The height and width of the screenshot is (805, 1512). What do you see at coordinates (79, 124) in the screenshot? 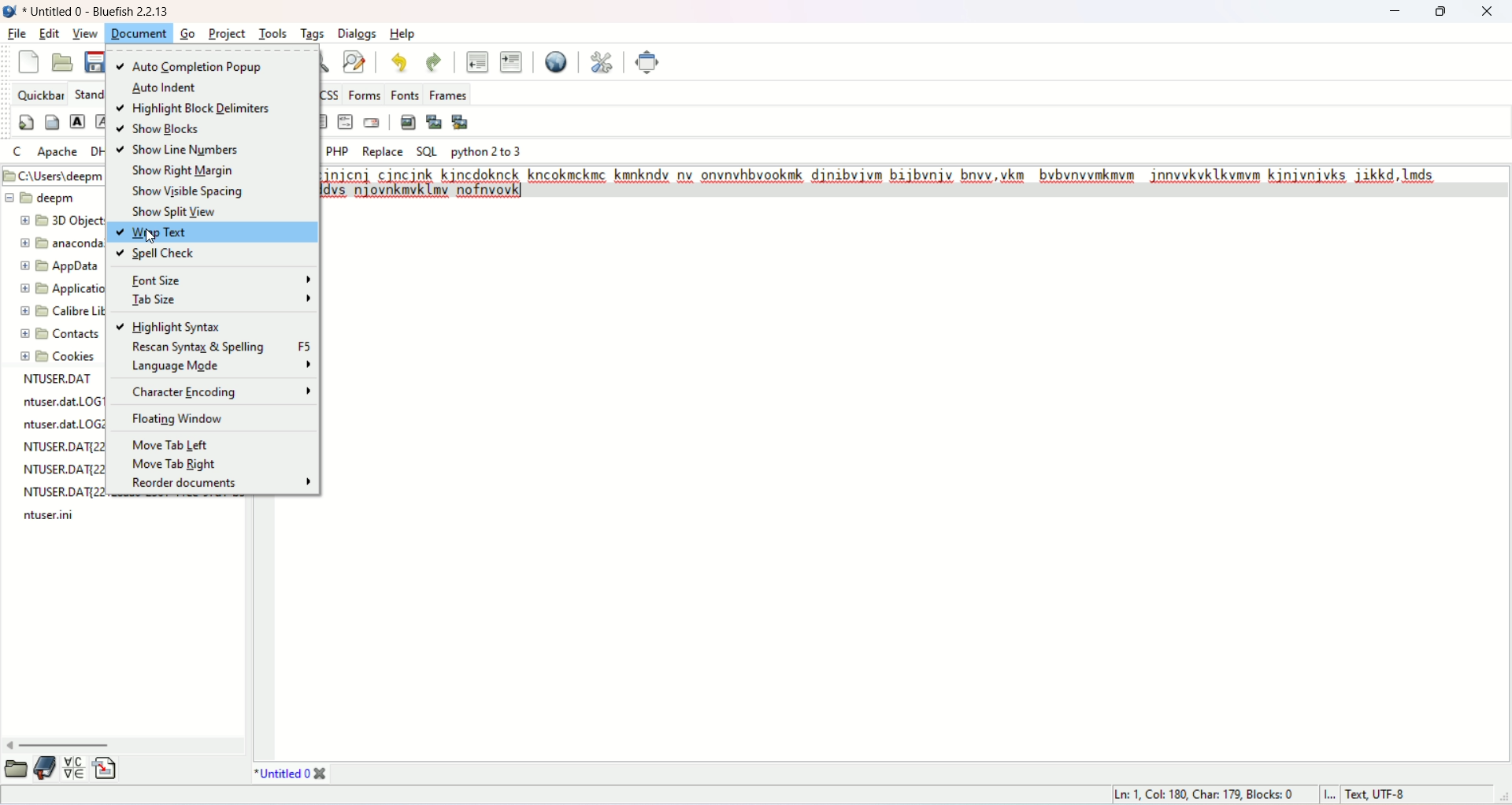
I see `strong` at bounding box center [79, 124].